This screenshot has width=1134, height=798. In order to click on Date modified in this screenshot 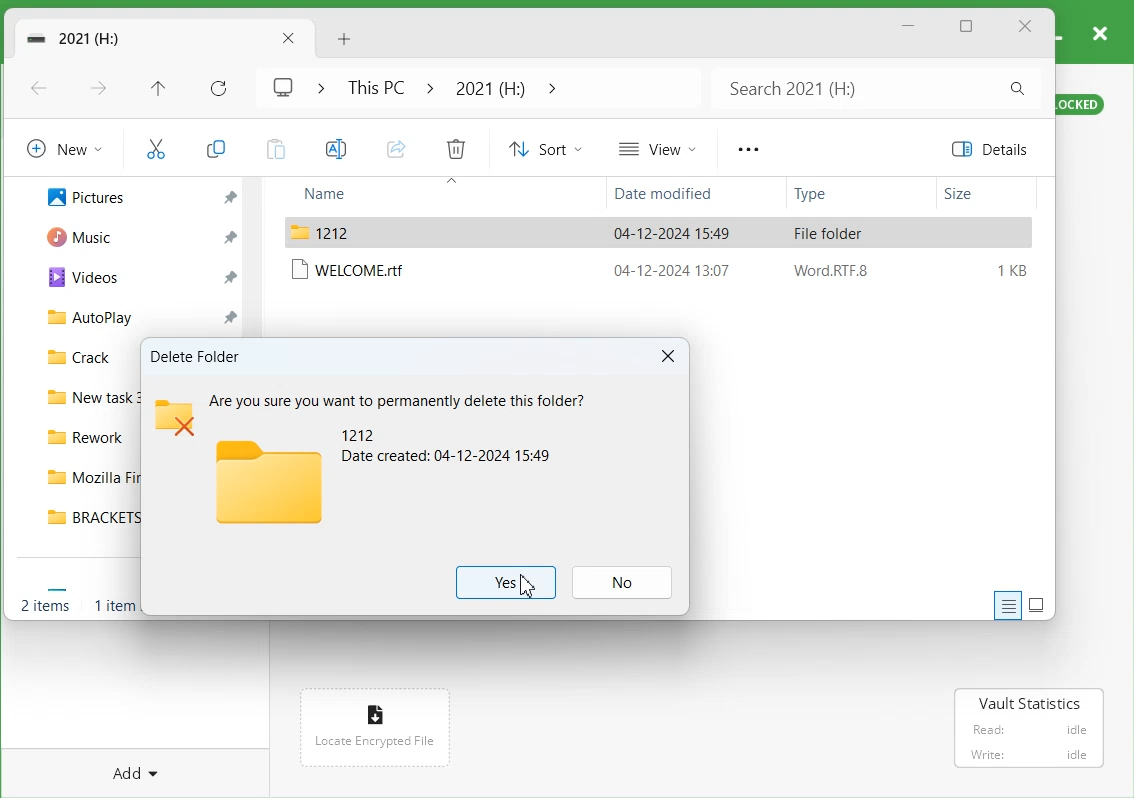, I will do `click(669, 195)`.